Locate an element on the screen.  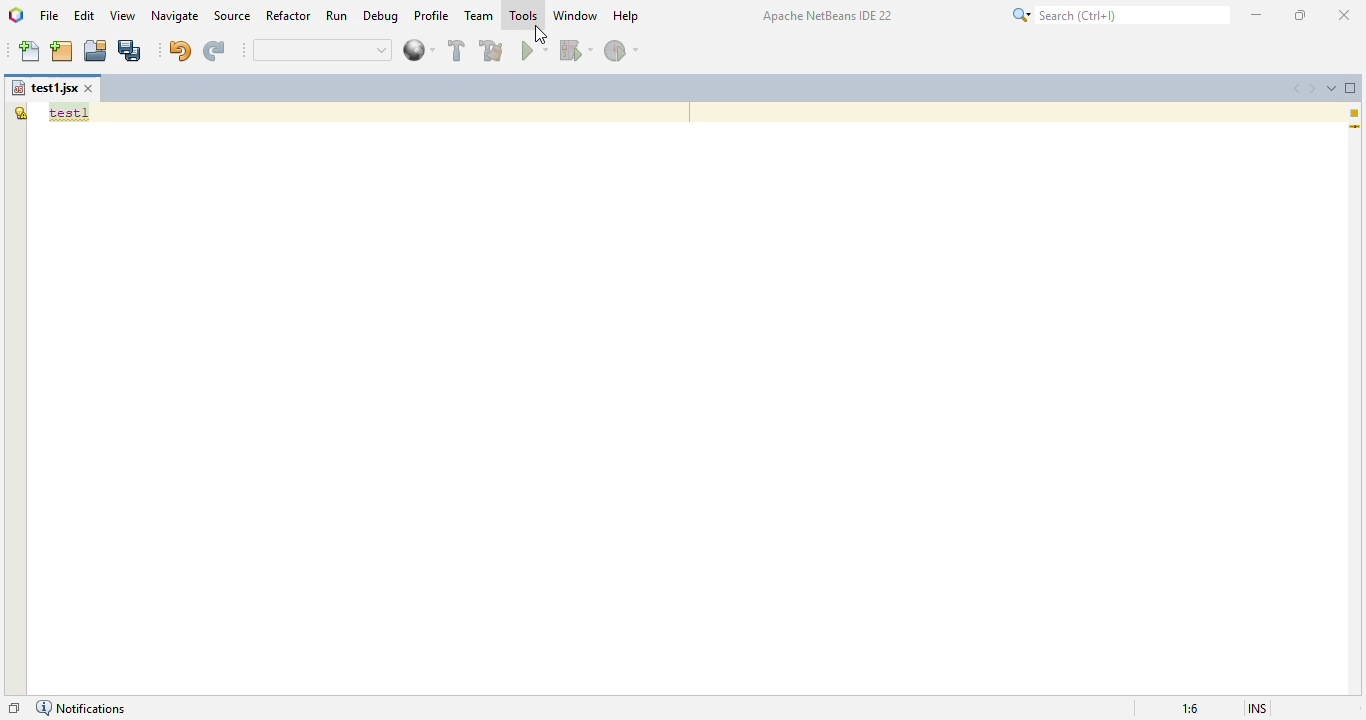
web browser is located at coordinates (419, 50).